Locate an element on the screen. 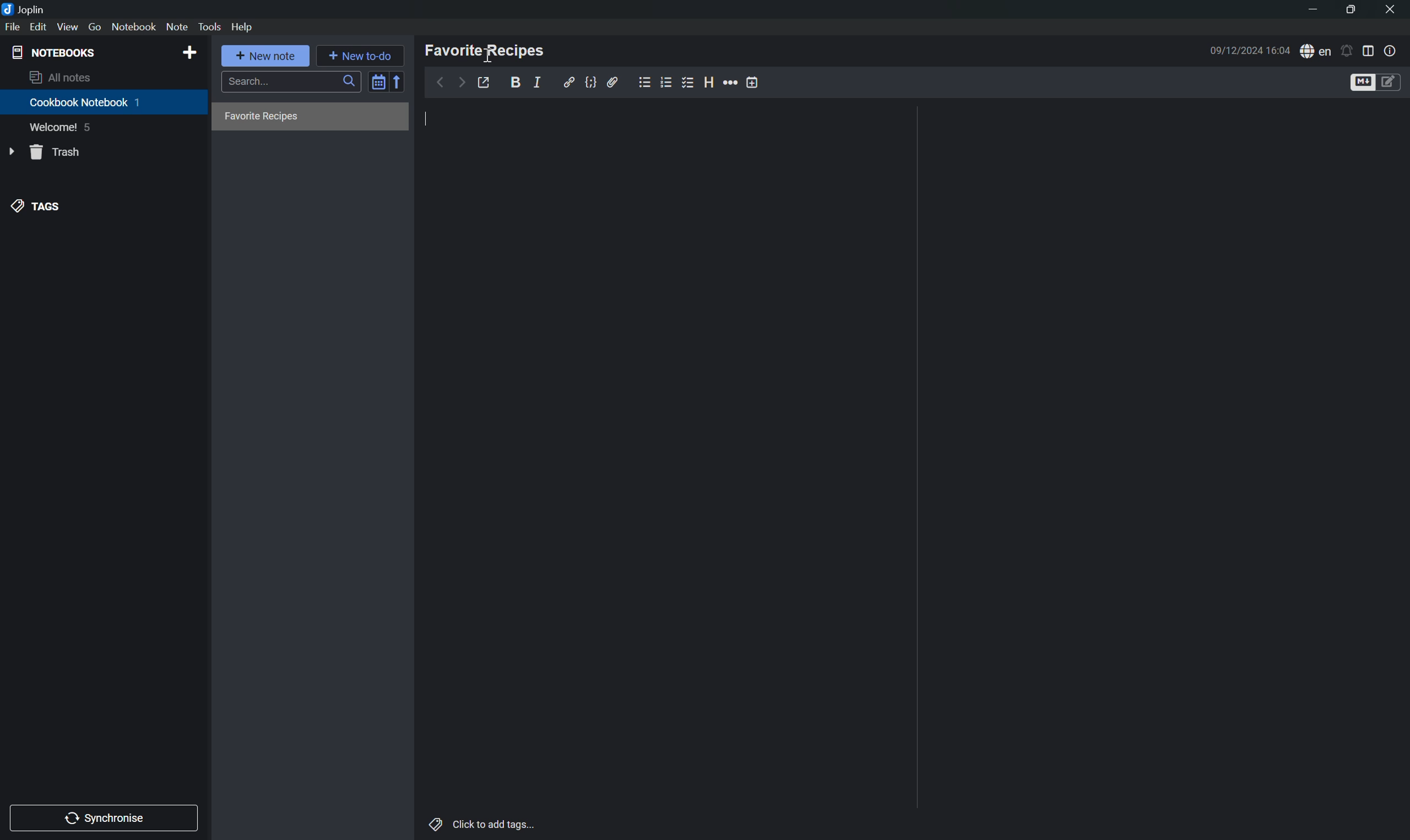 The width and height of the screenshot is (1410, 840). Help is located at coordinates (243, 28).